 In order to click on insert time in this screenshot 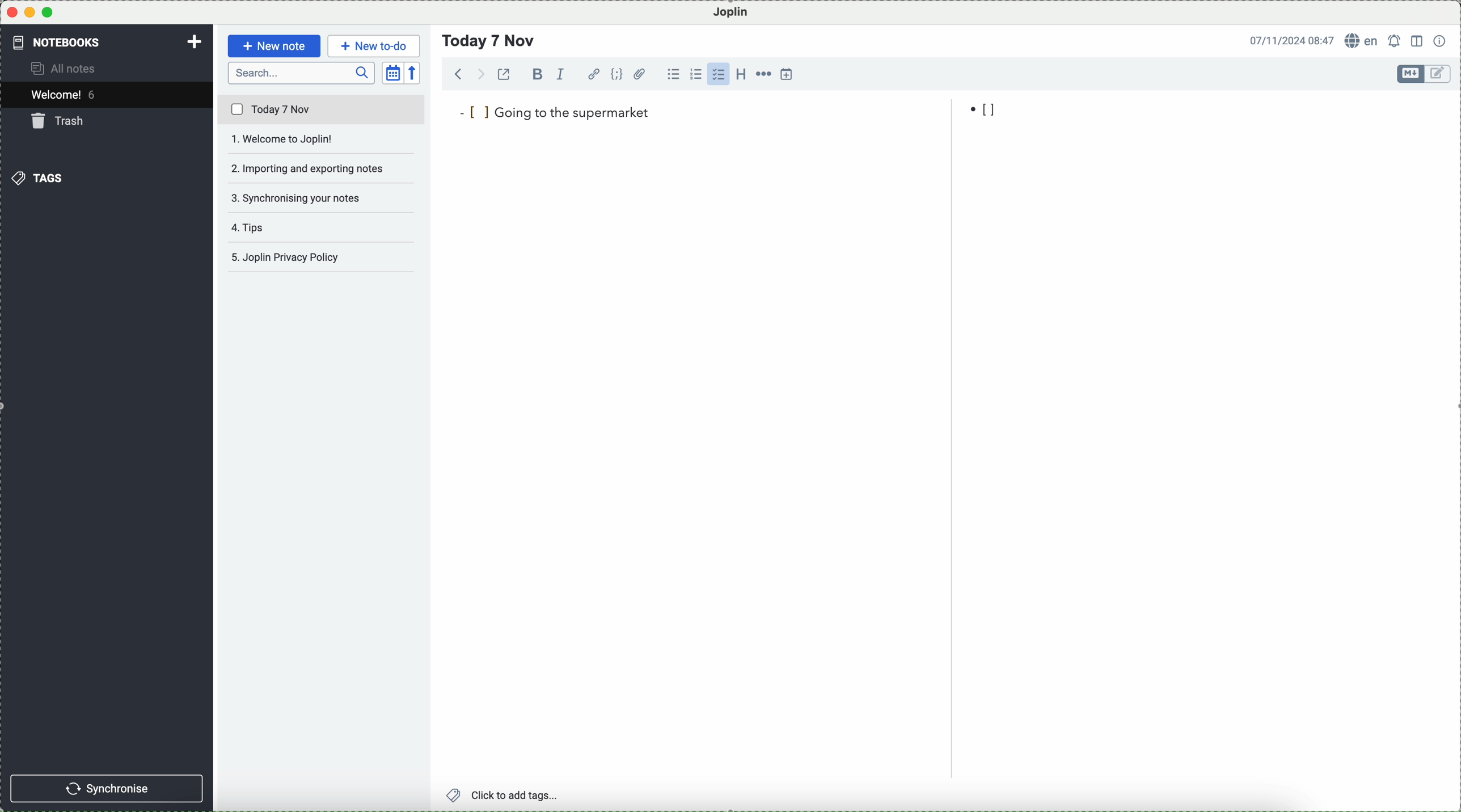, I will do `click(787, 74)`.